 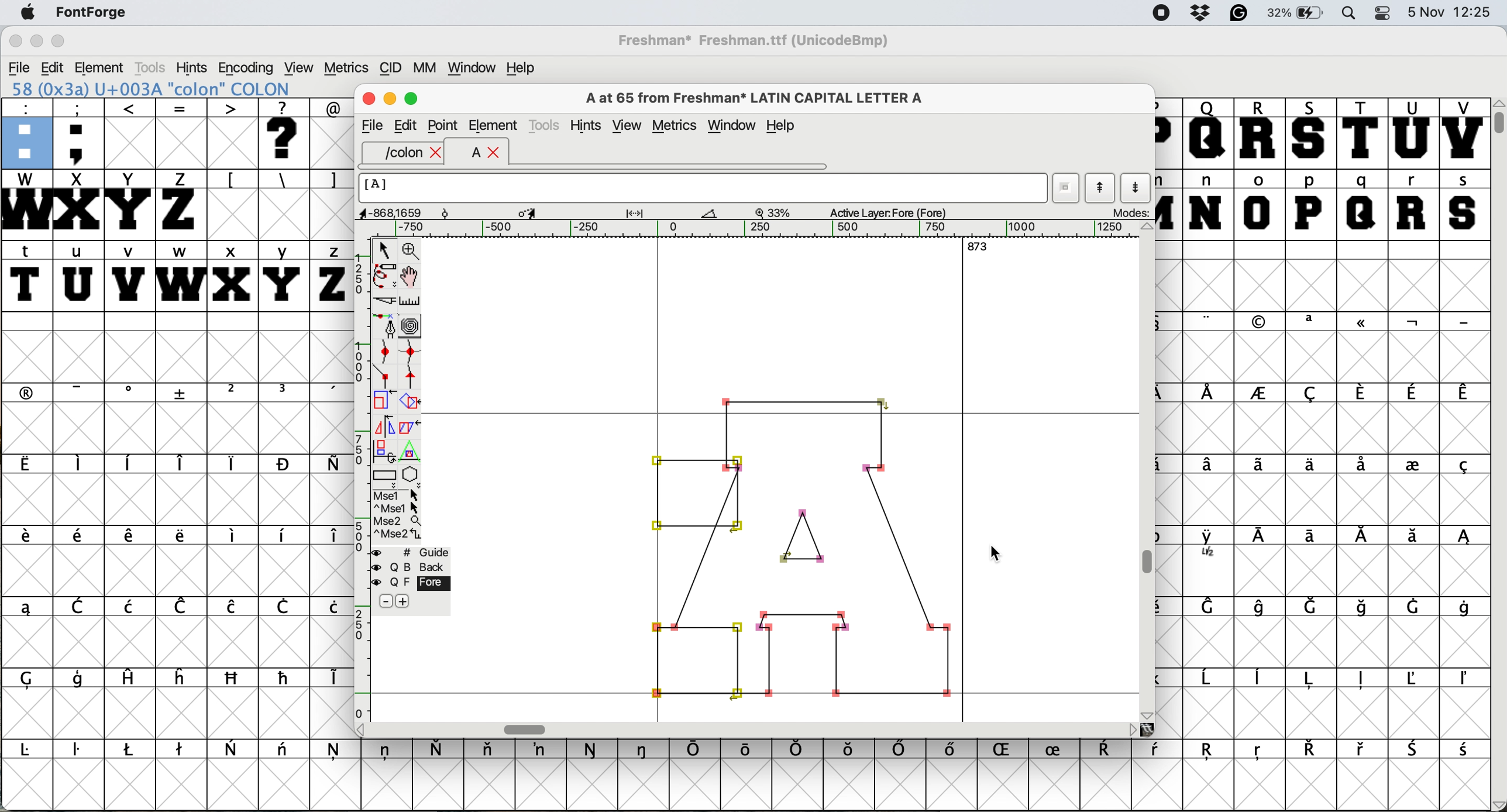 I want to click on o, so click(x=1260, y=204).